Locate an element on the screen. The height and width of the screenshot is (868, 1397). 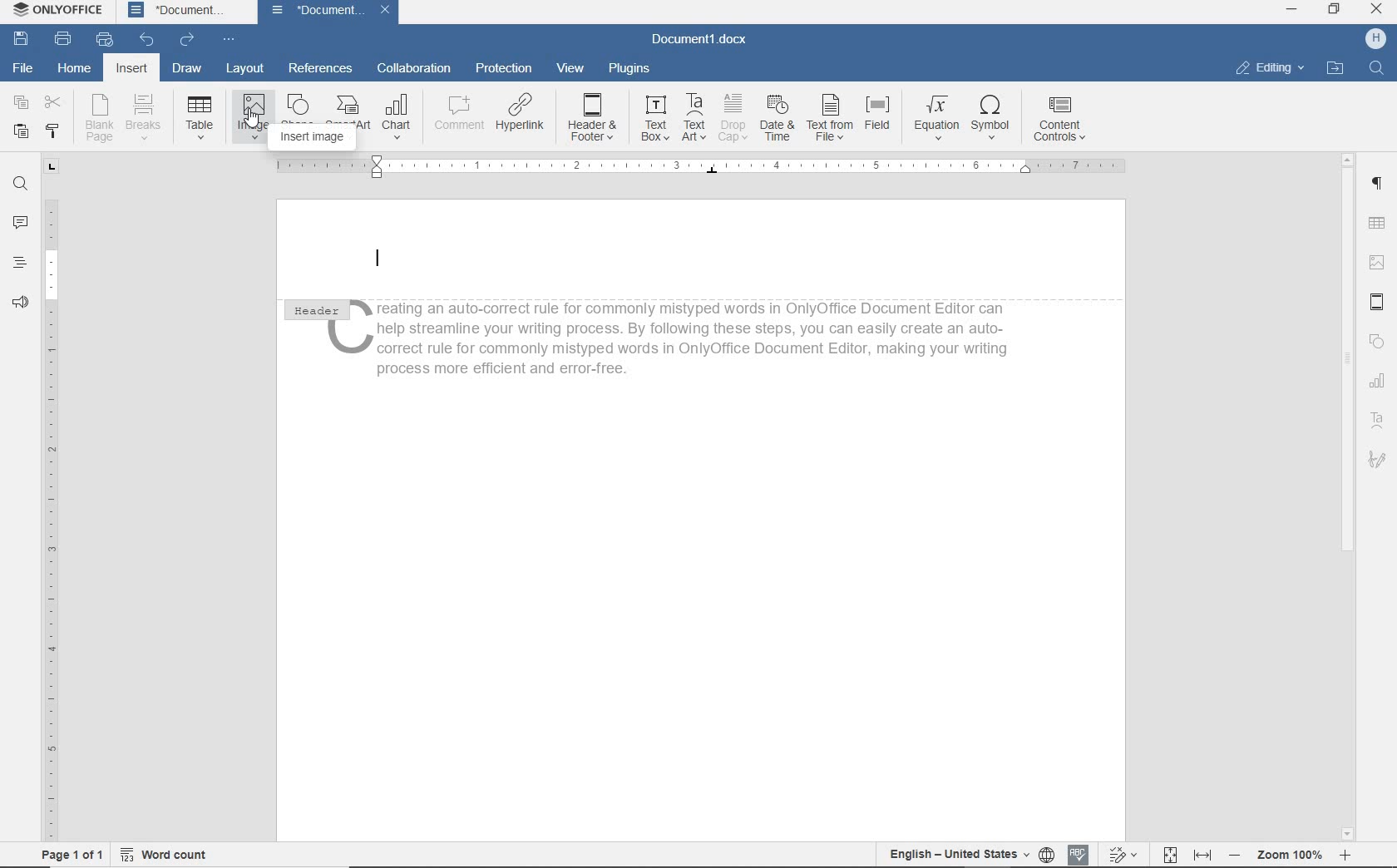
Profile is located at coordinates (1375, 39).